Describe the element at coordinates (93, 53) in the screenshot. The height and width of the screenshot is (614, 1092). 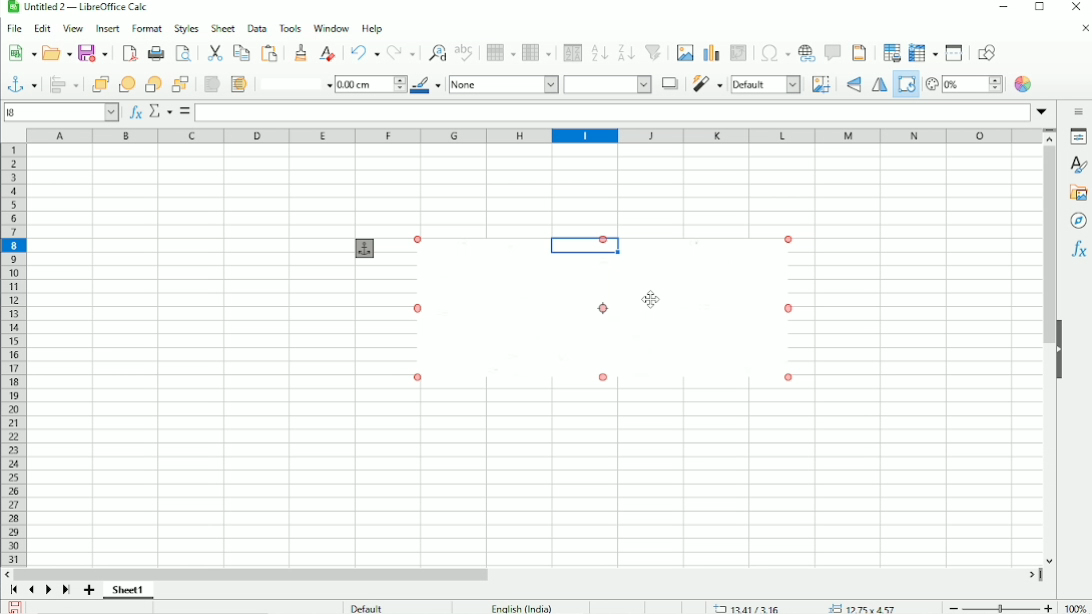
I see `Save` at that location.